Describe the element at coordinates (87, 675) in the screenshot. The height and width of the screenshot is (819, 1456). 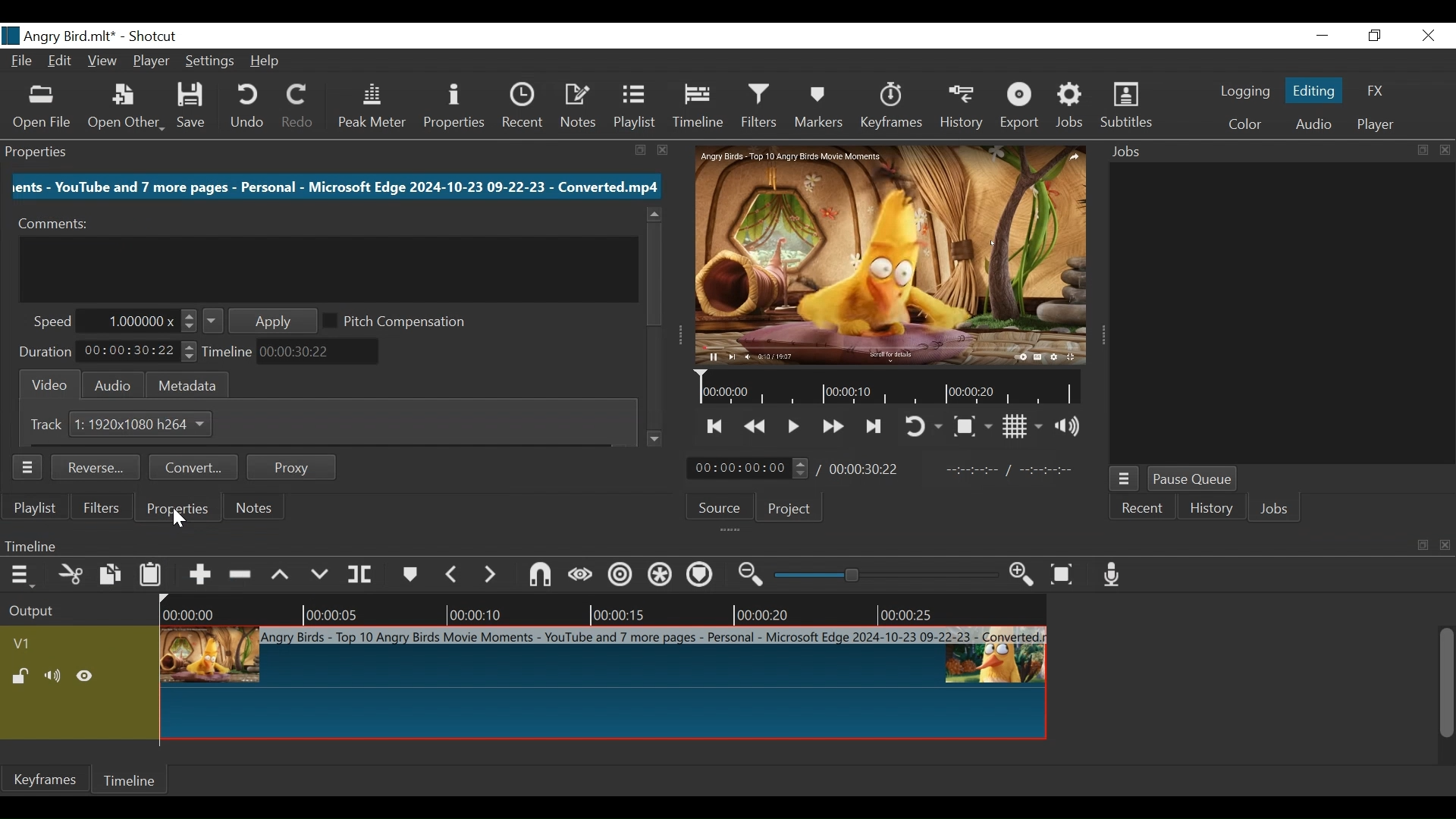
I see `Hide` at that location.